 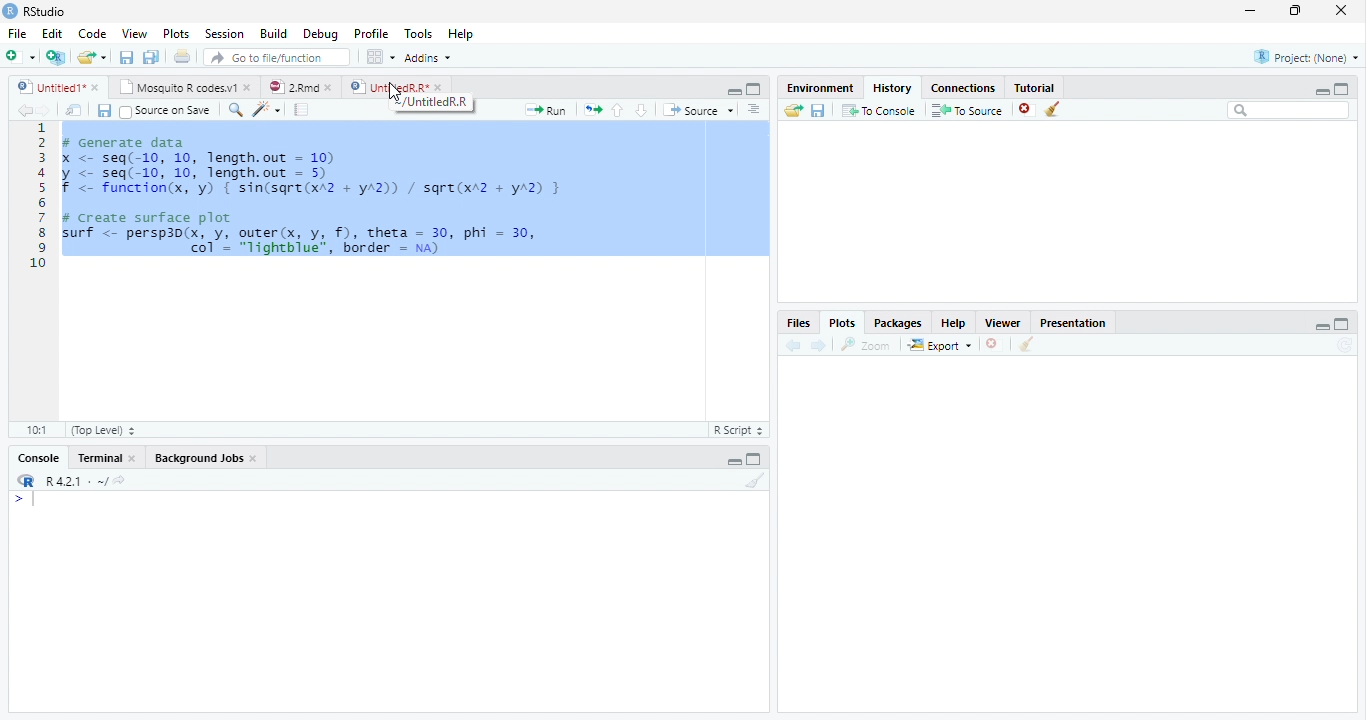 I want to click on minimize, so click(x=1250, y=10).